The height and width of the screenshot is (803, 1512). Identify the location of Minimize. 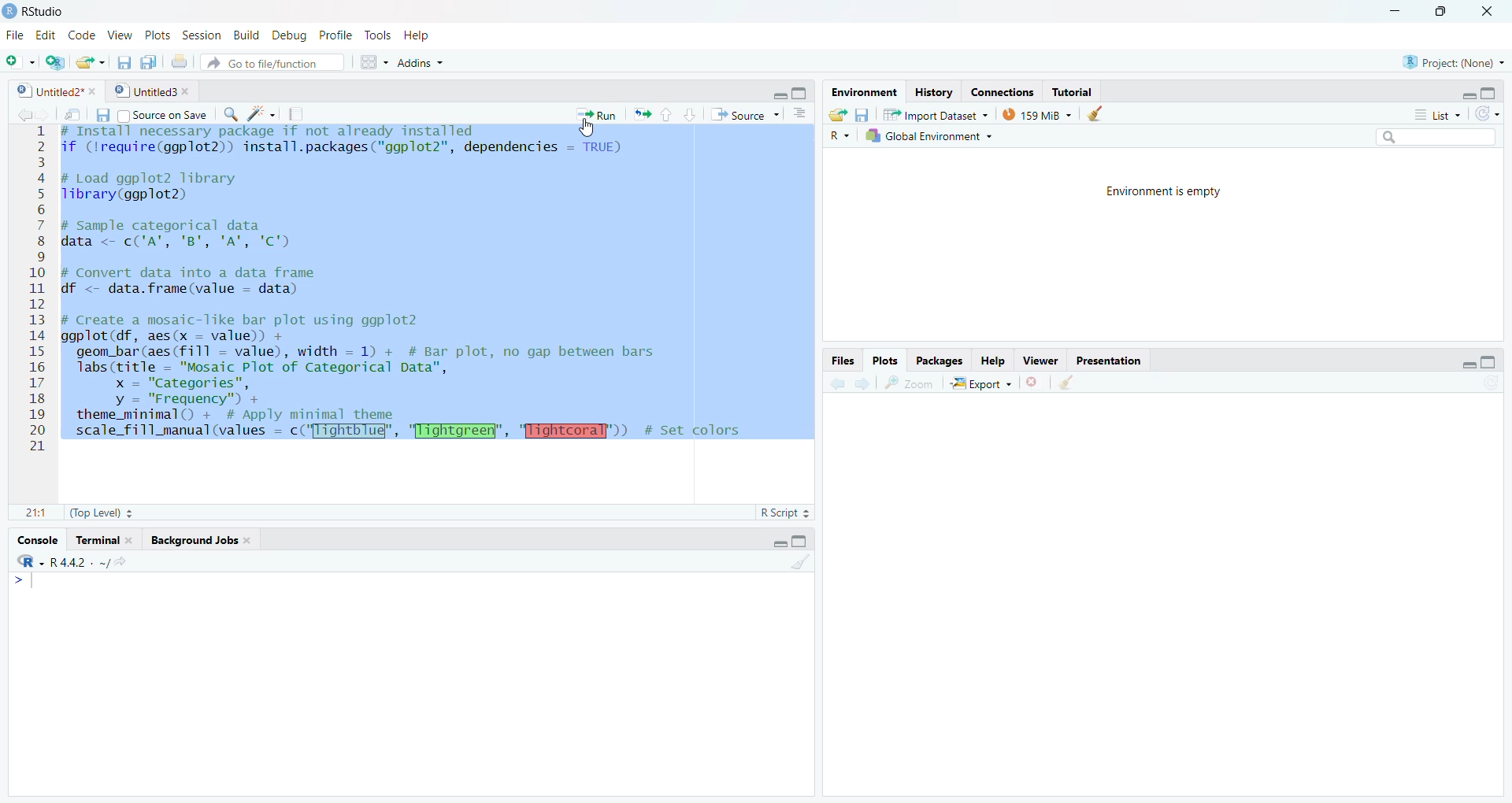
(1467, 92).